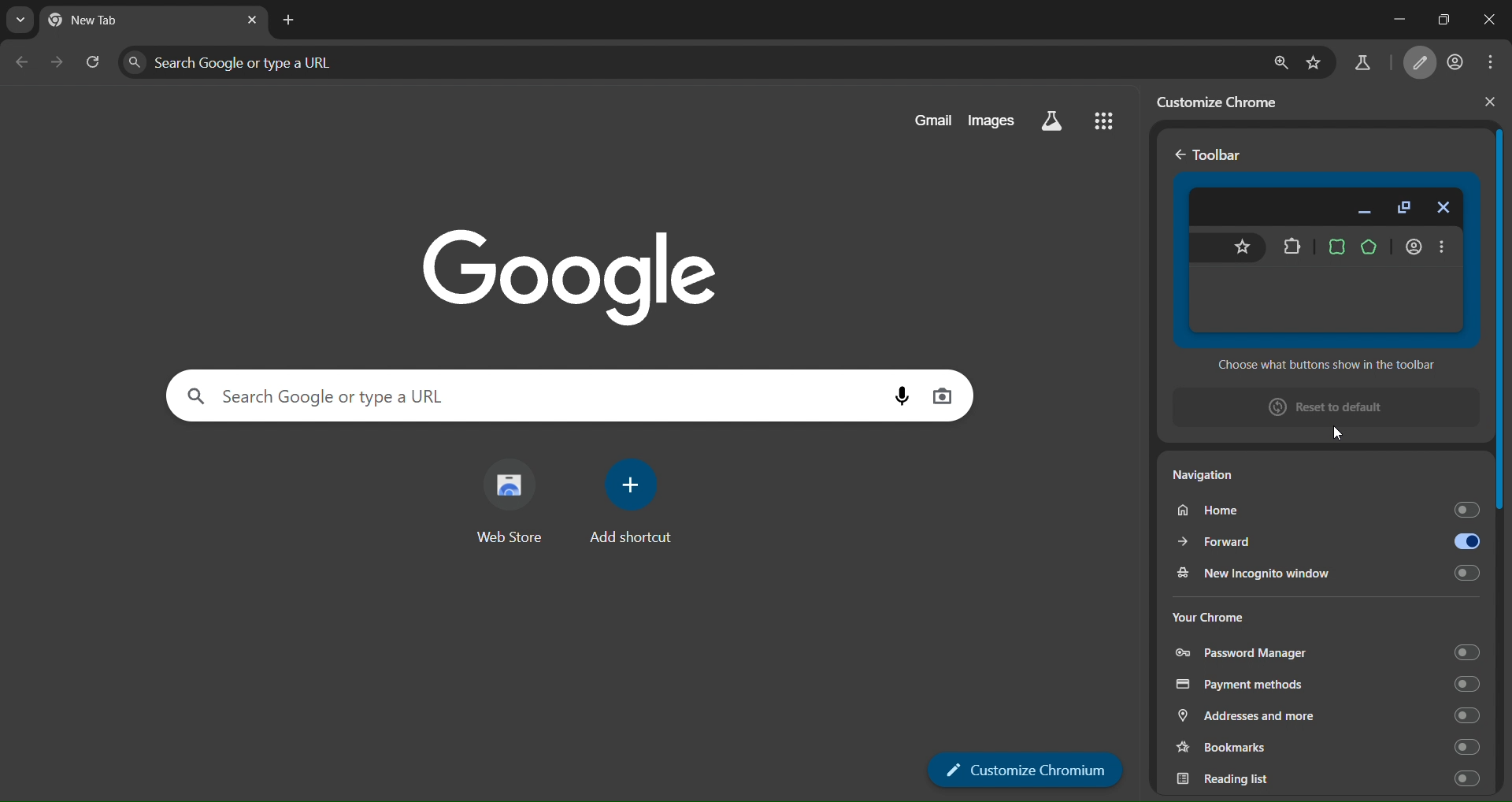 The image size is (1512, 802). What do you see at coordinates (1325, 573) in the screenshot?
I see `new incognito window` at bounding box center [1325, 573].